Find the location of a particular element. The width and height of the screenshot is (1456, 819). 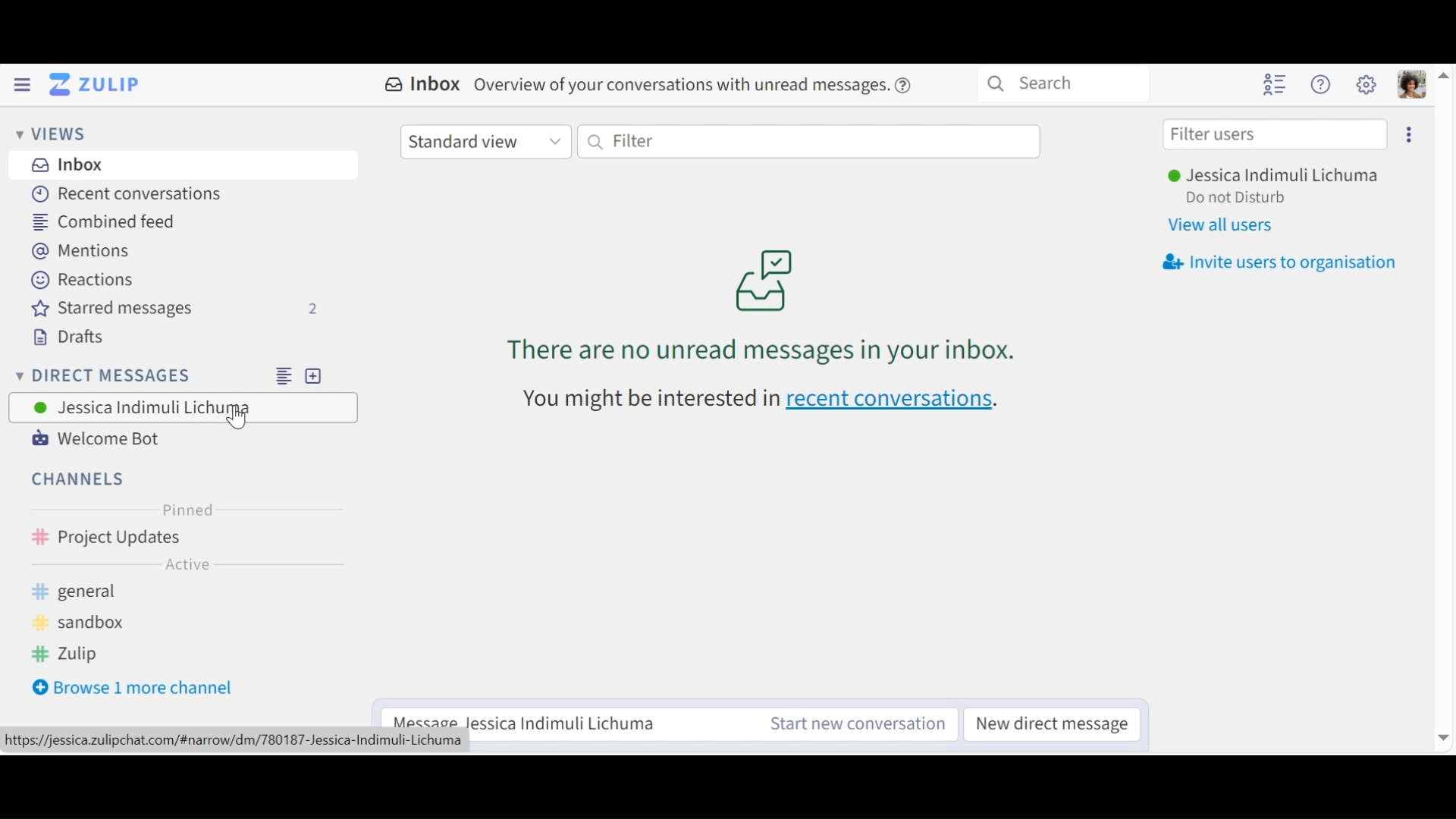

 is located at coordinates (103, 439).